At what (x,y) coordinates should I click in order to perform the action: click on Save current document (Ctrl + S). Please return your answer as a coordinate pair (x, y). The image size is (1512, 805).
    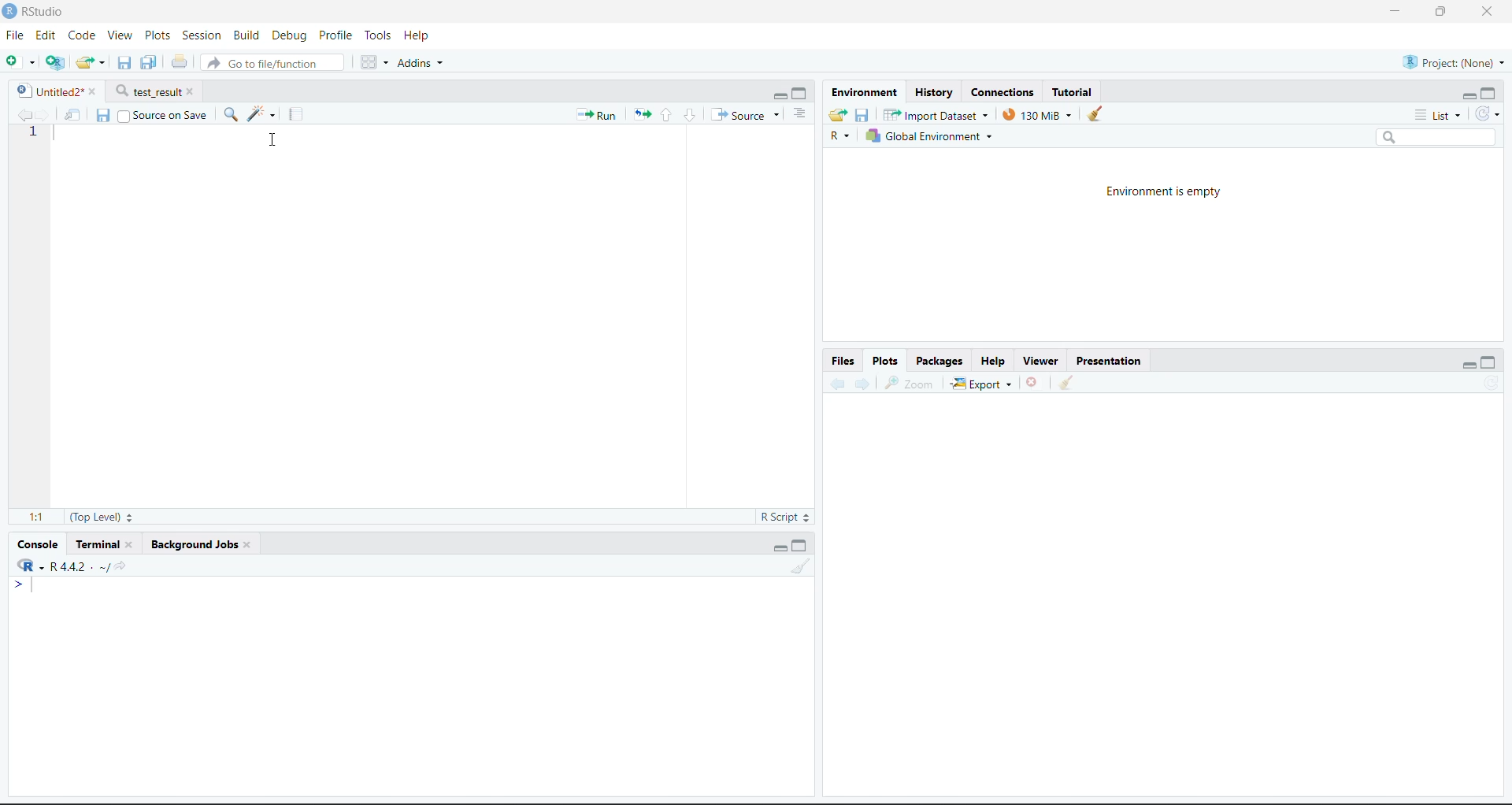
    Looking at the image, I should click on (126, 61).